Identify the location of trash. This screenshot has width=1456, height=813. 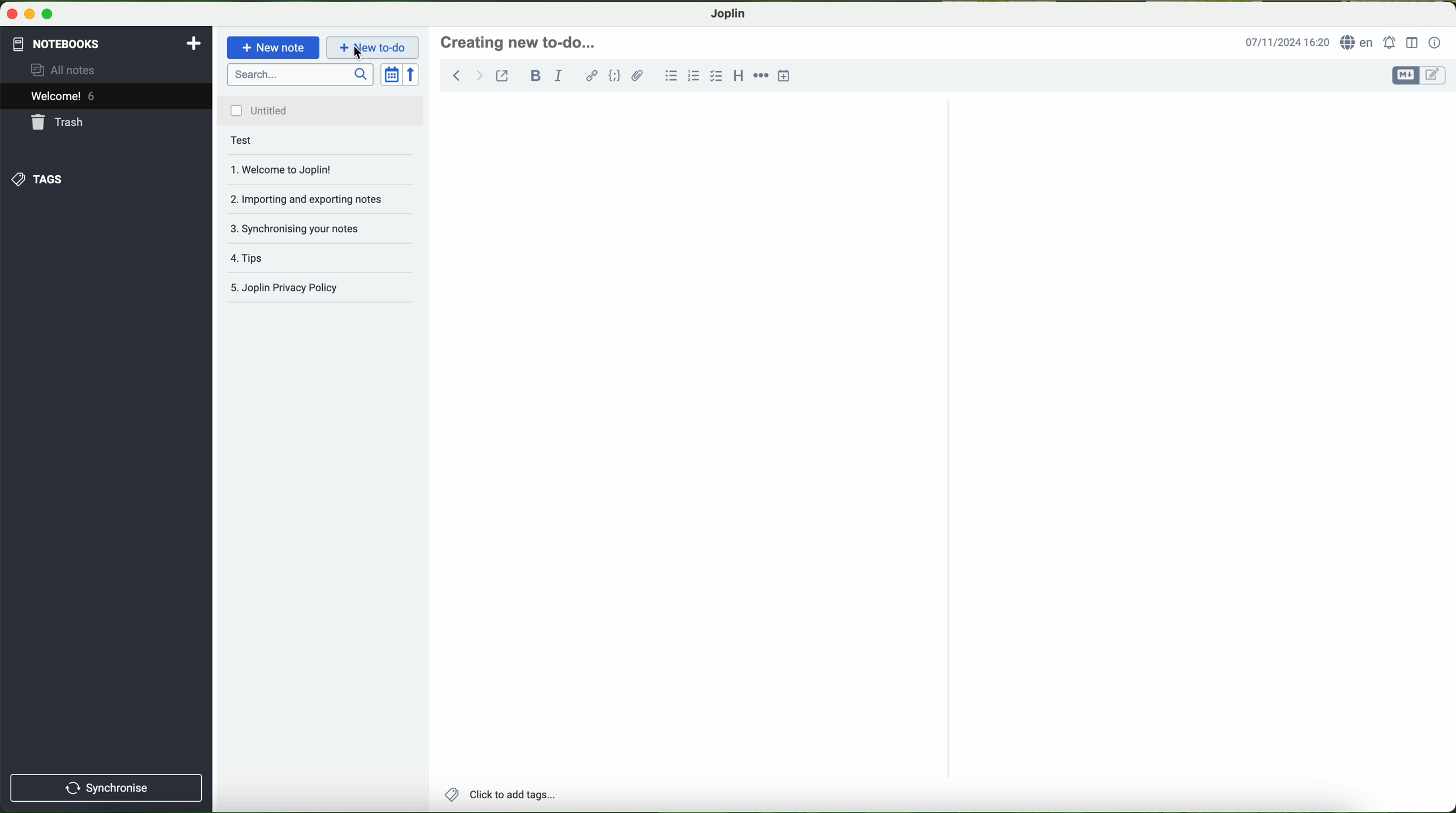
(62, 123).